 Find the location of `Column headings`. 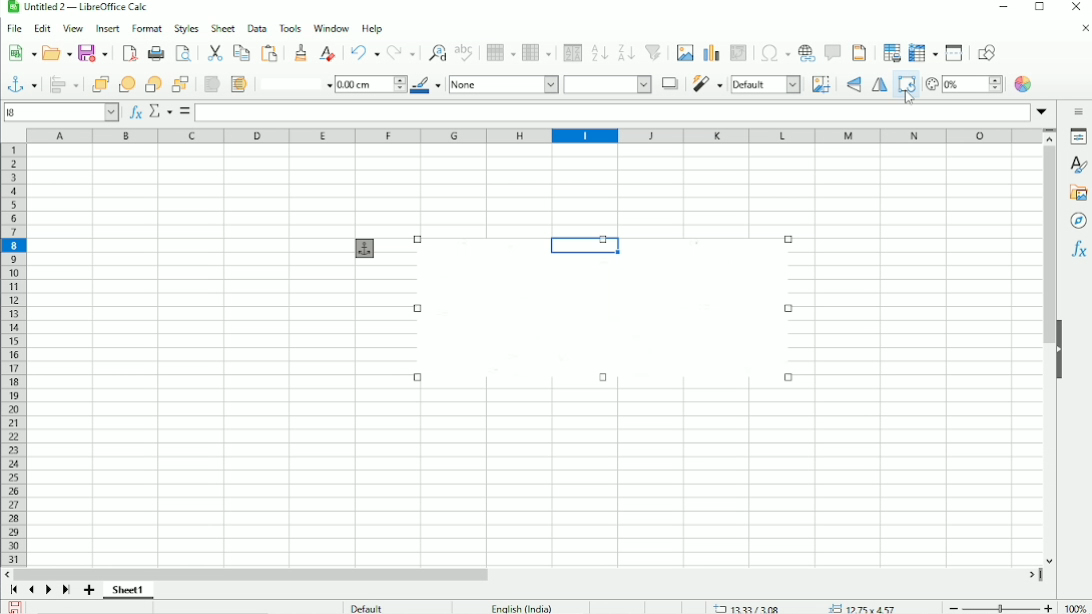

Column headings is located at coordinates (532, 136).